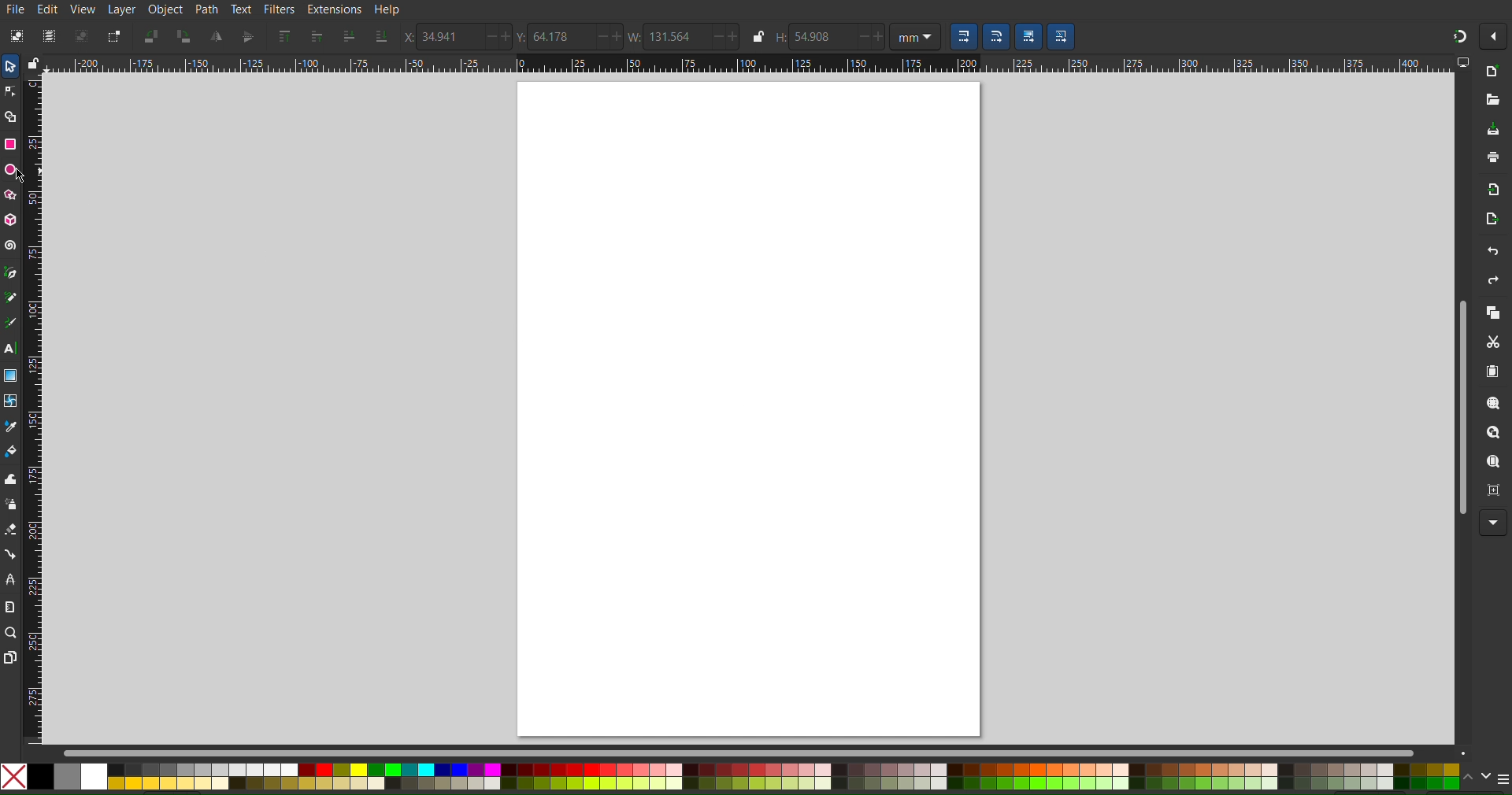 The image size is (1512, 795). What do you see at coordinates (387, 9) in the screenshot?
I see `Help` at bounding box center [387, 9].